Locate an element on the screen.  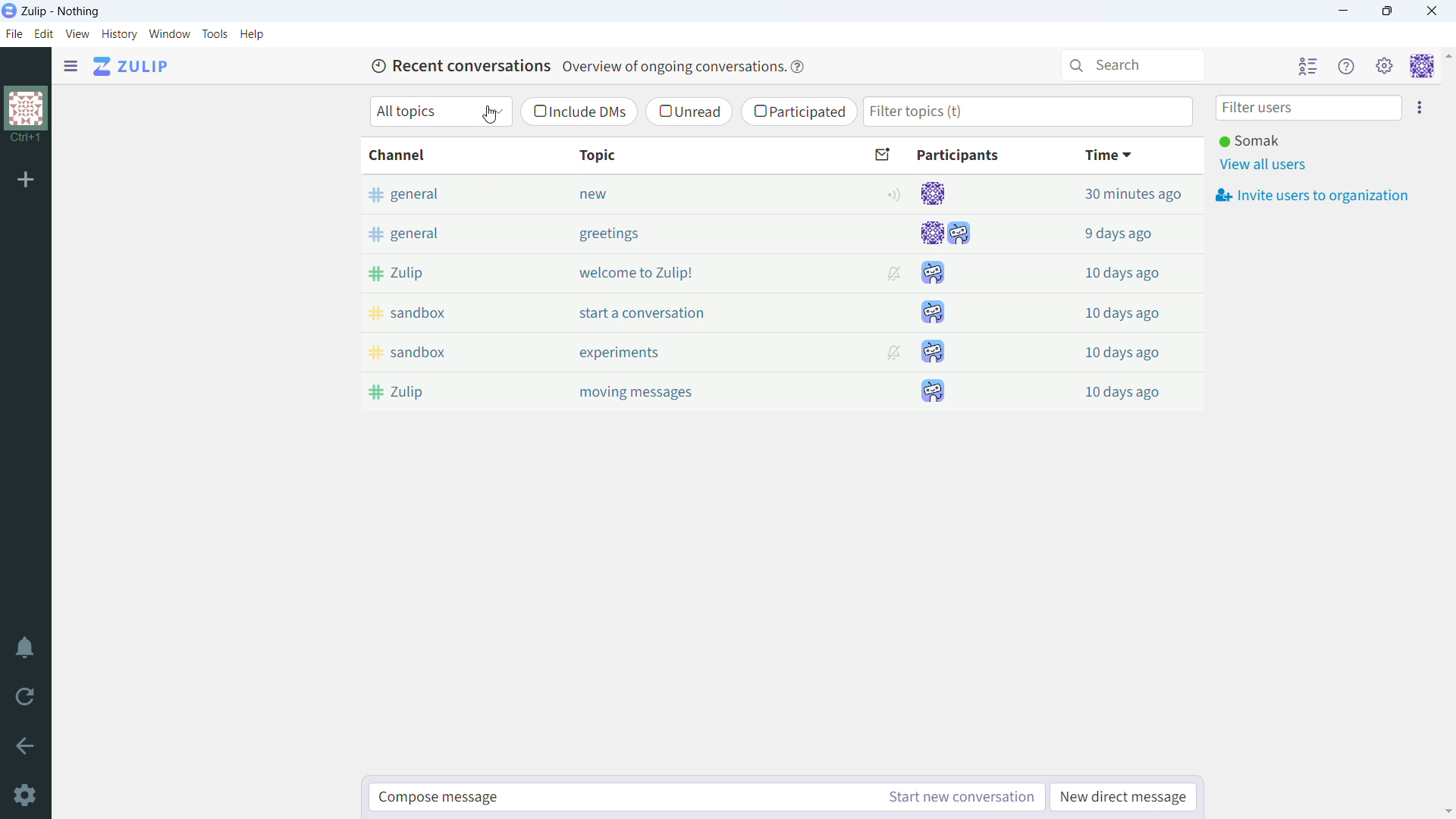
Zulip is located at coordinates (441, 391).